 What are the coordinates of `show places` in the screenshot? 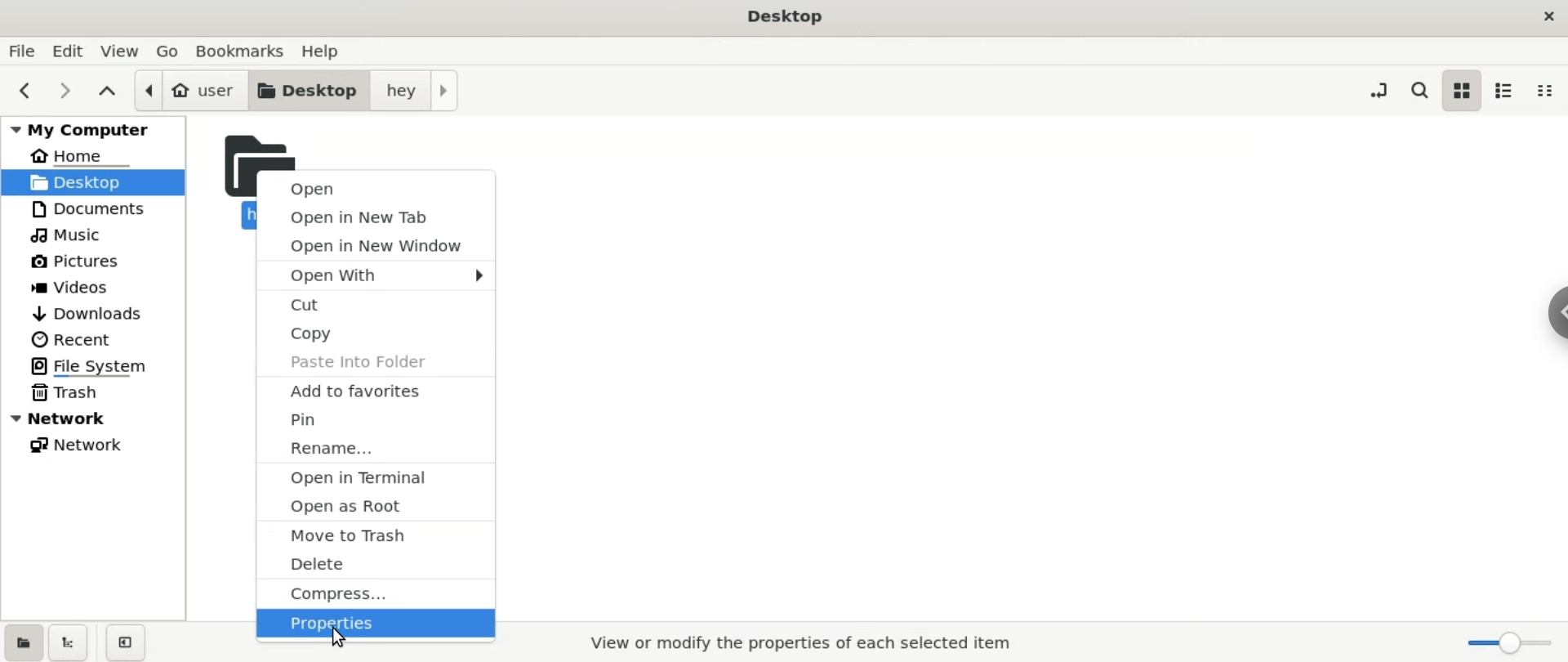 It's located at (22, 642).